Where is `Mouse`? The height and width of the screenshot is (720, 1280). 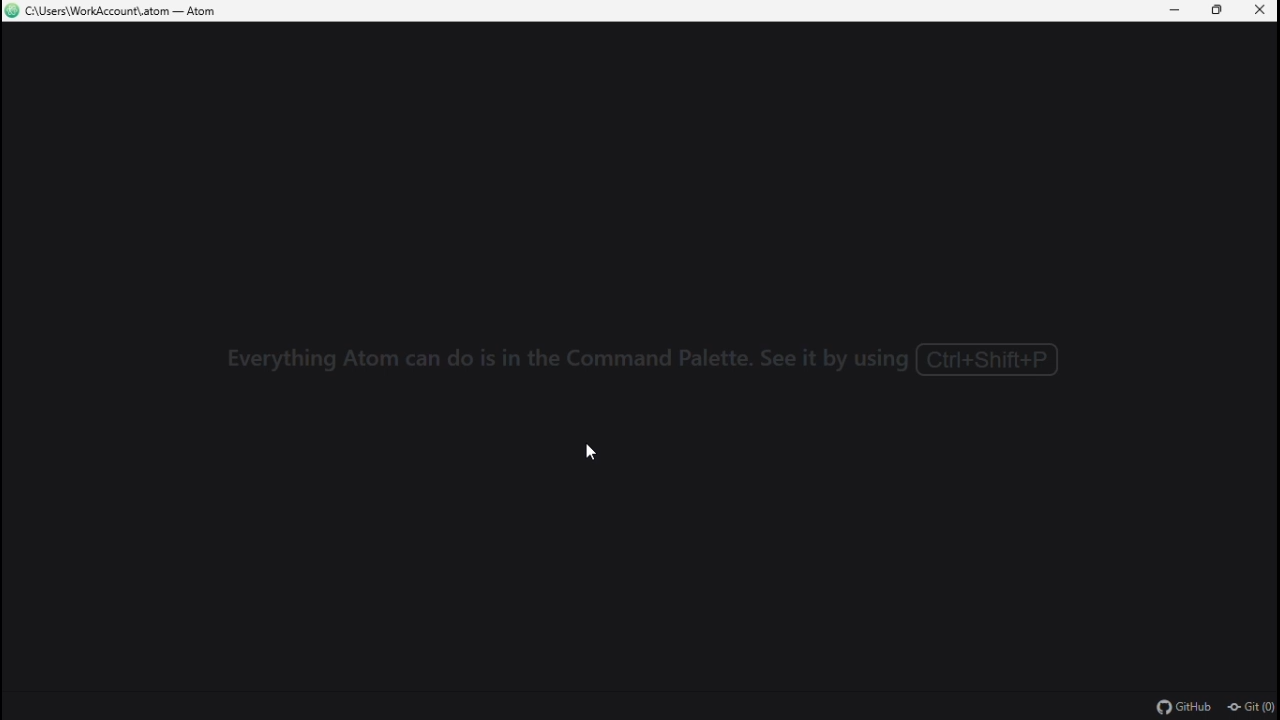
Mouse is located at coordinates (586, 450).